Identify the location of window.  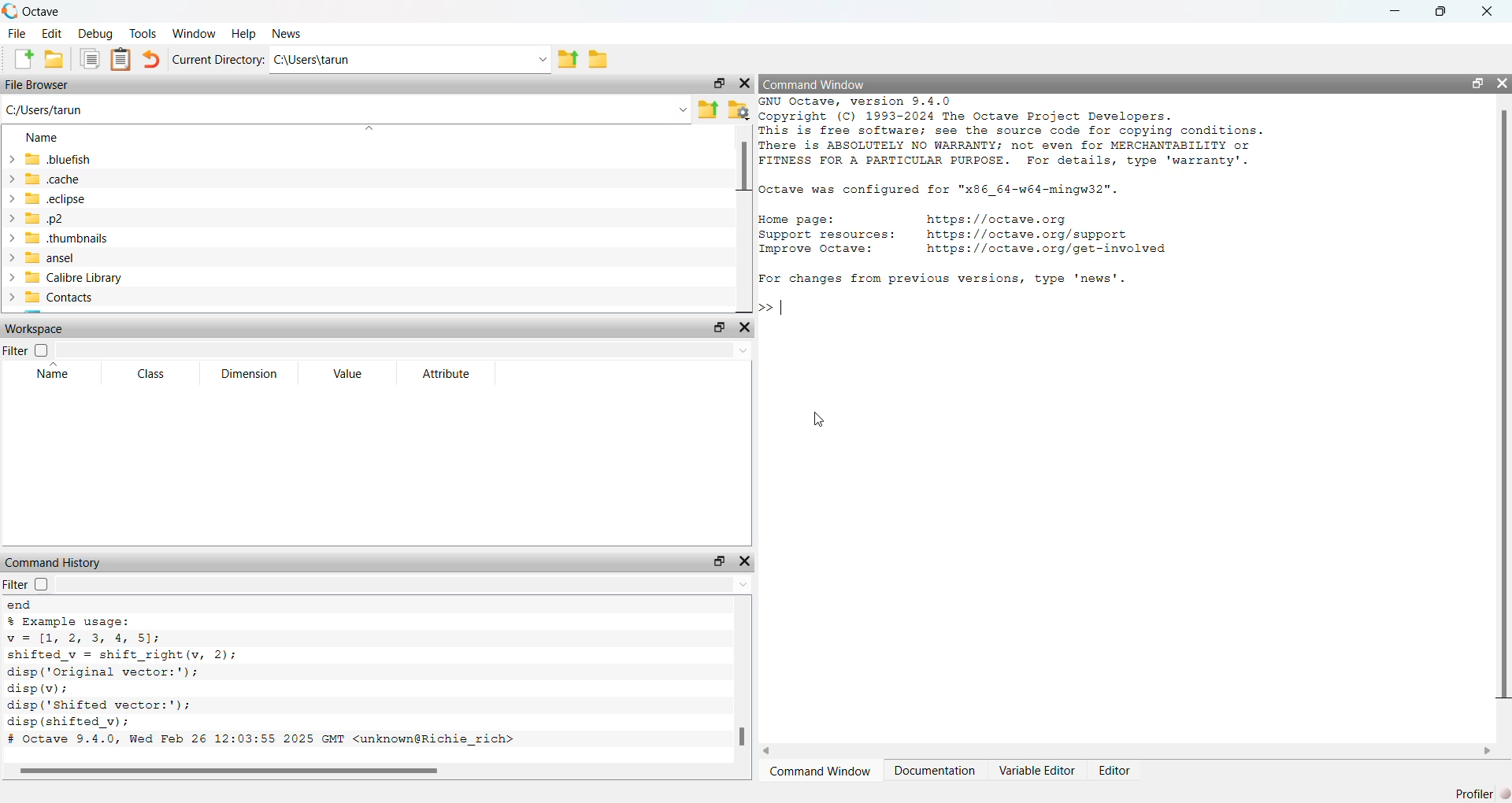
(193, 34).